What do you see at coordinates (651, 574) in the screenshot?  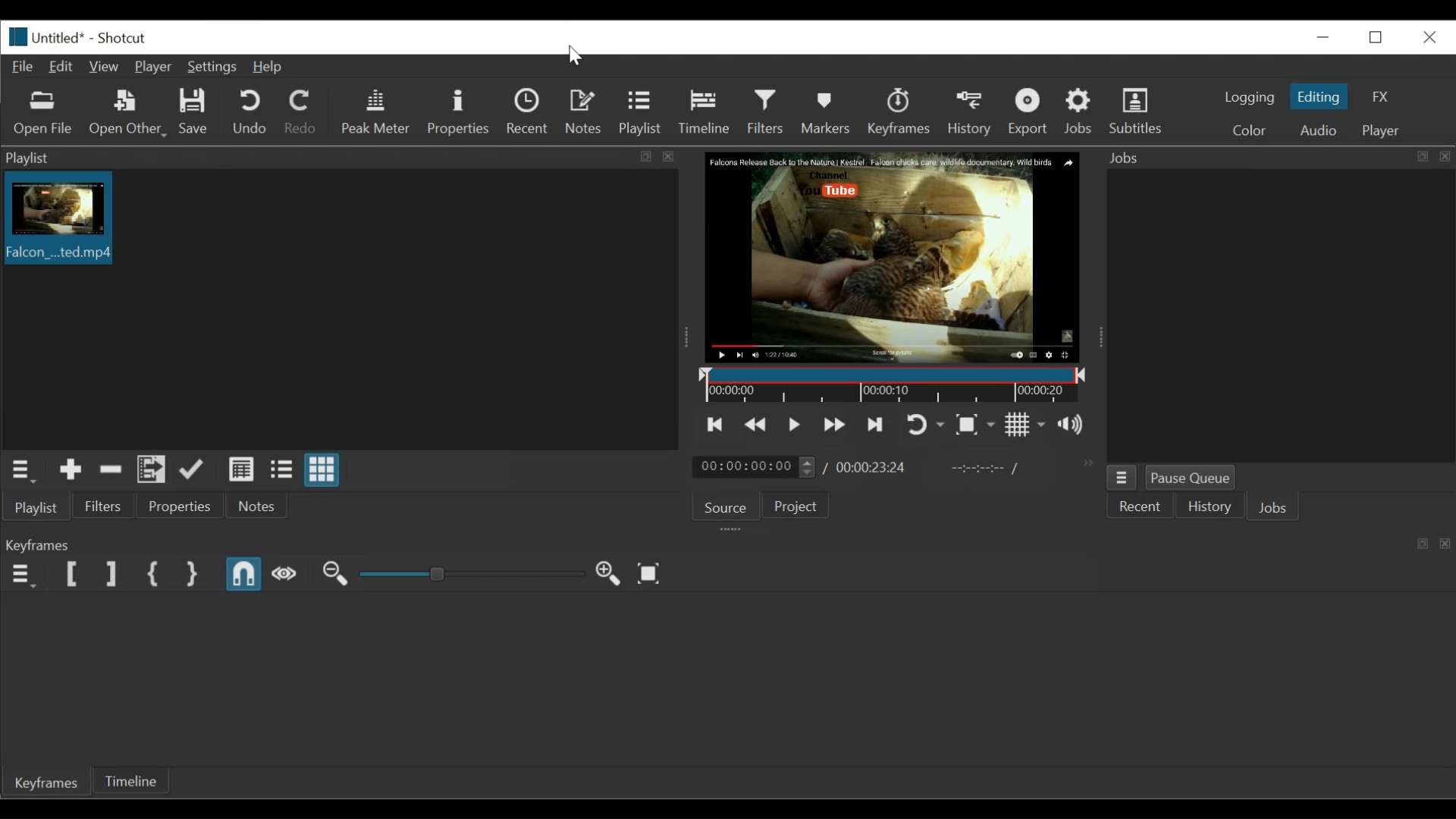 I see `Zoom keyframe ` at bounding box center [651, 574].